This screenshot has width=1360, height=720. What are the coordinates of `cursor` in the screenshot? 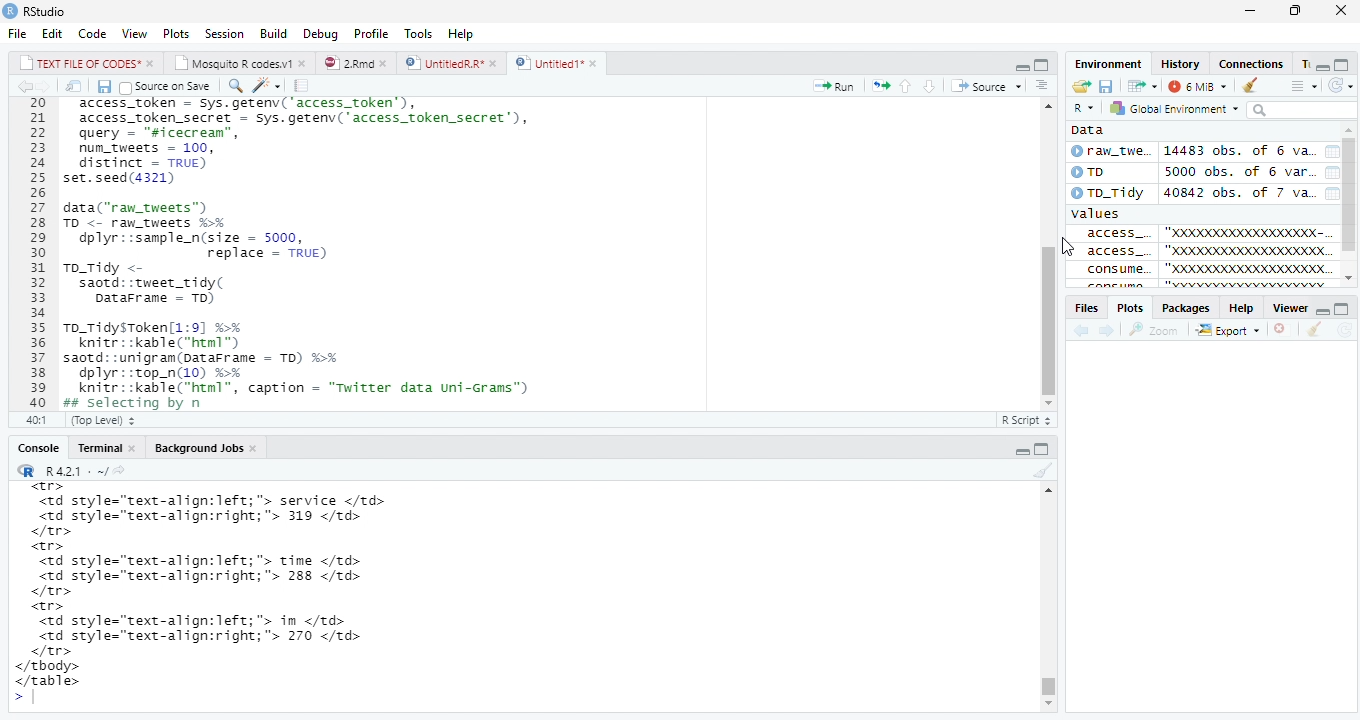 It's located at (1065, 250).